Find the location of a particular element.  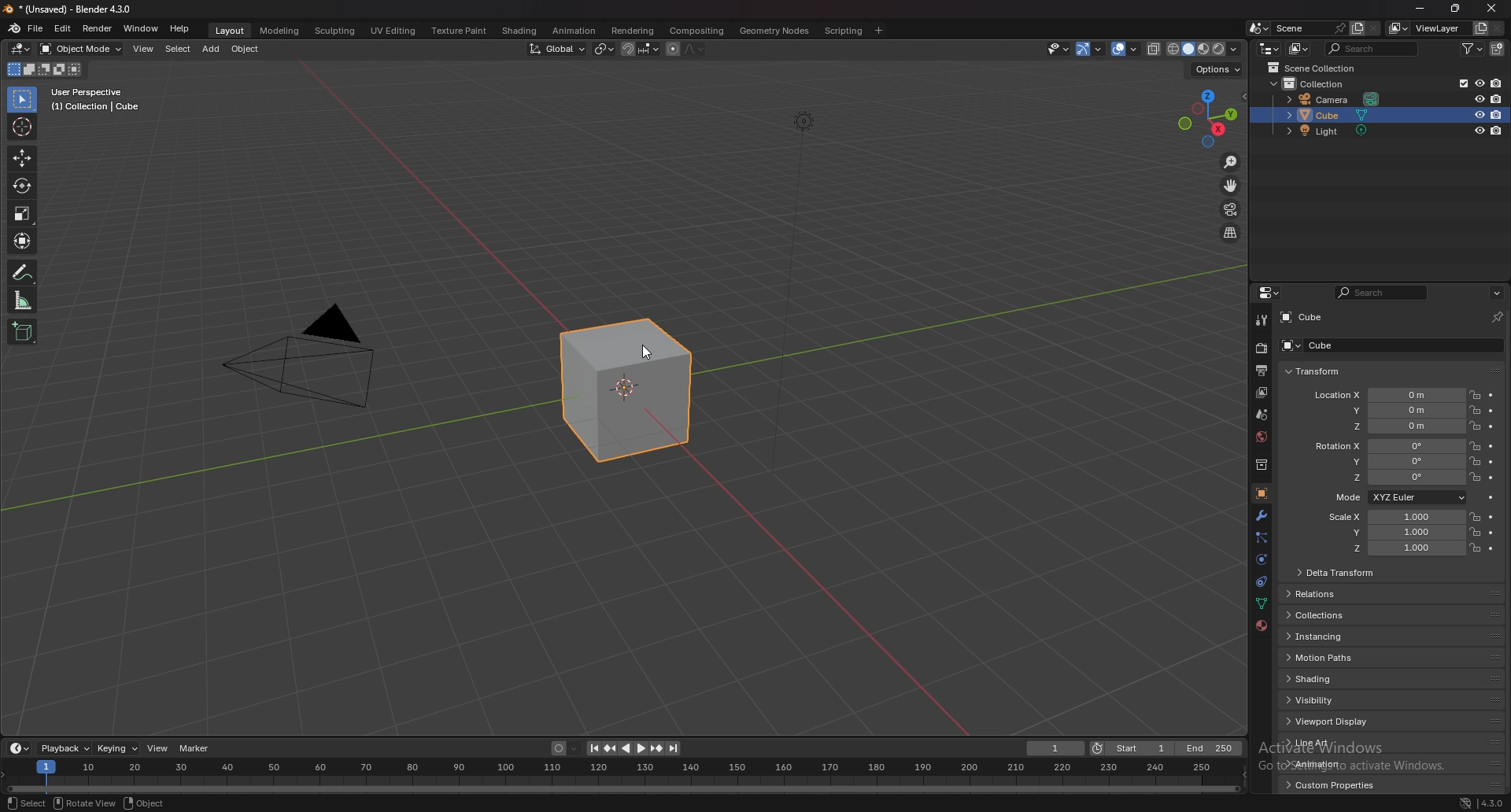

keying is located at coordinates (118, 748).